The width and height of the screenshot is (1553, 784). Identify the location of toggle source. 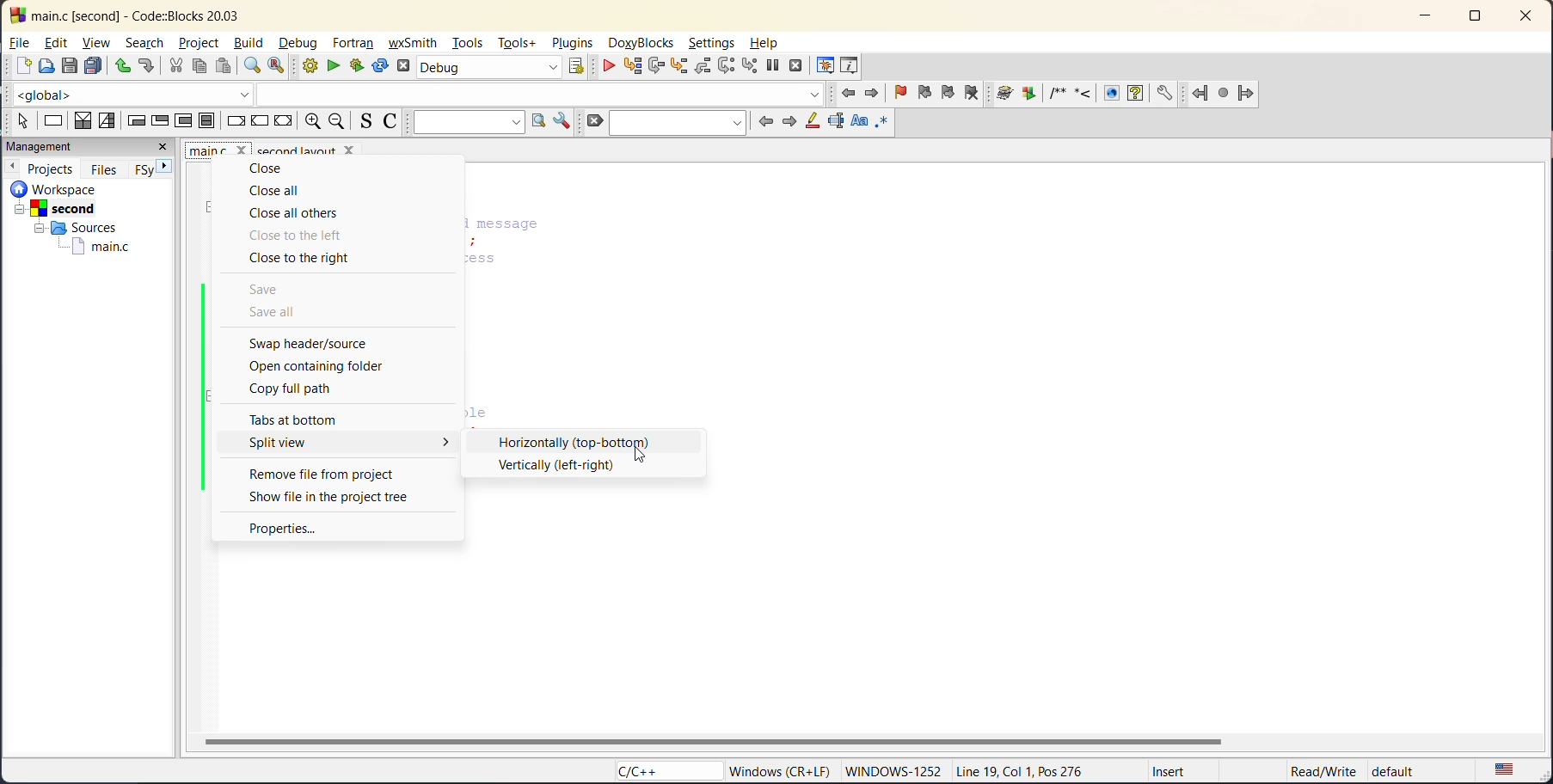
(361, 121).